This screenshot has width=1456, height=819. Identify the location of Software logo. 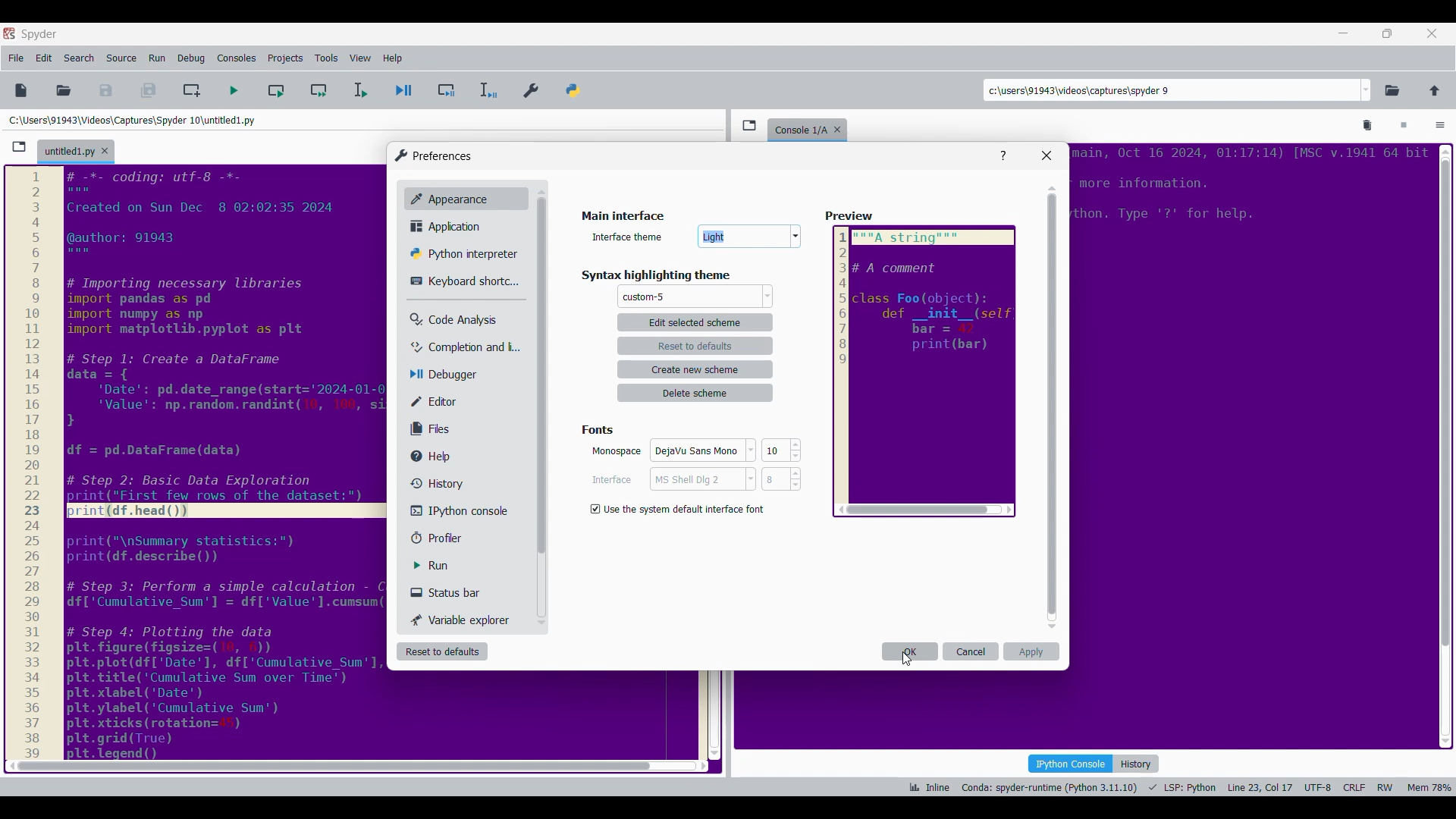
(9, 33).